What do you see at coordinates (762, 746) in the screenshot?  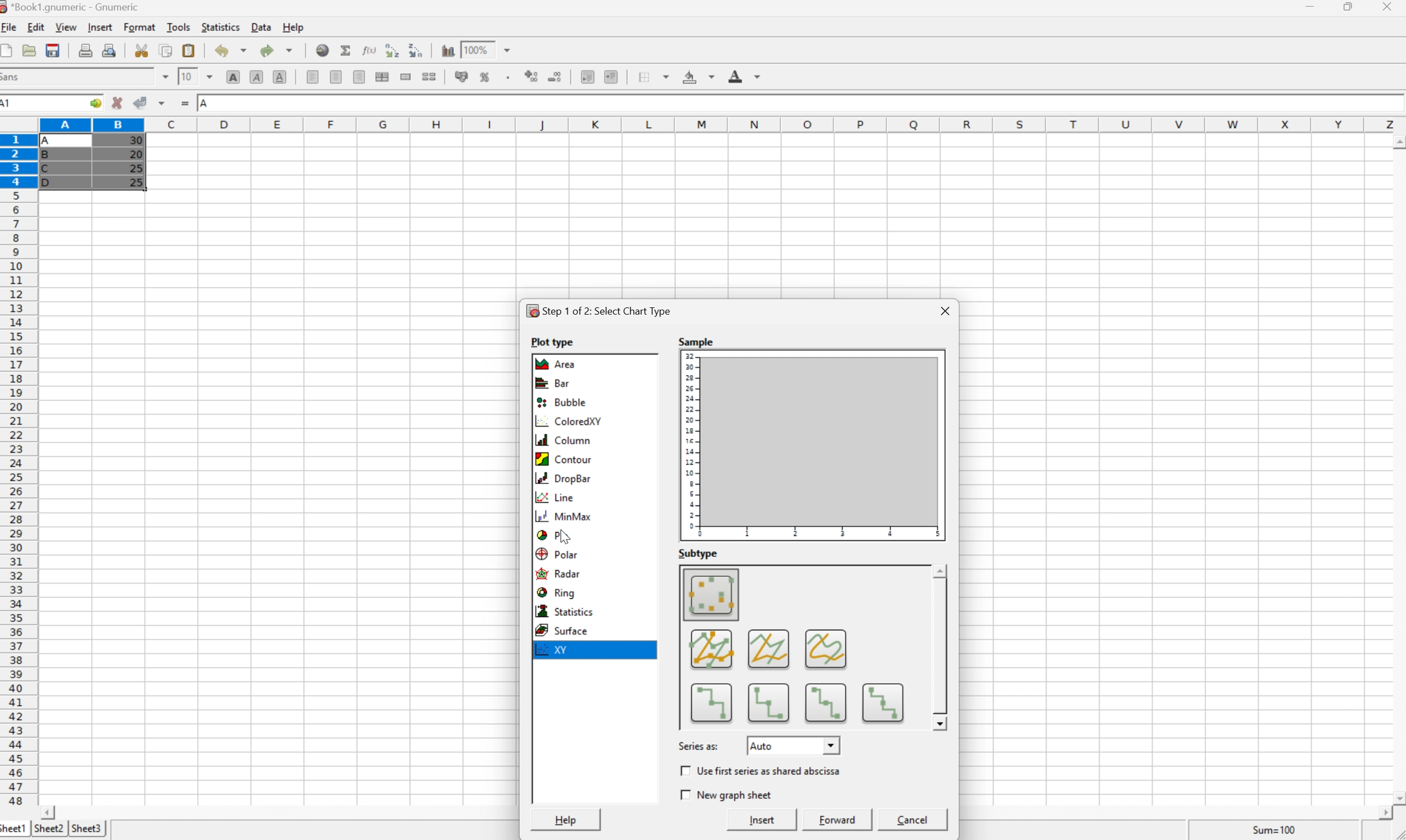 I see `Auto` at bounding box center [762, 746].